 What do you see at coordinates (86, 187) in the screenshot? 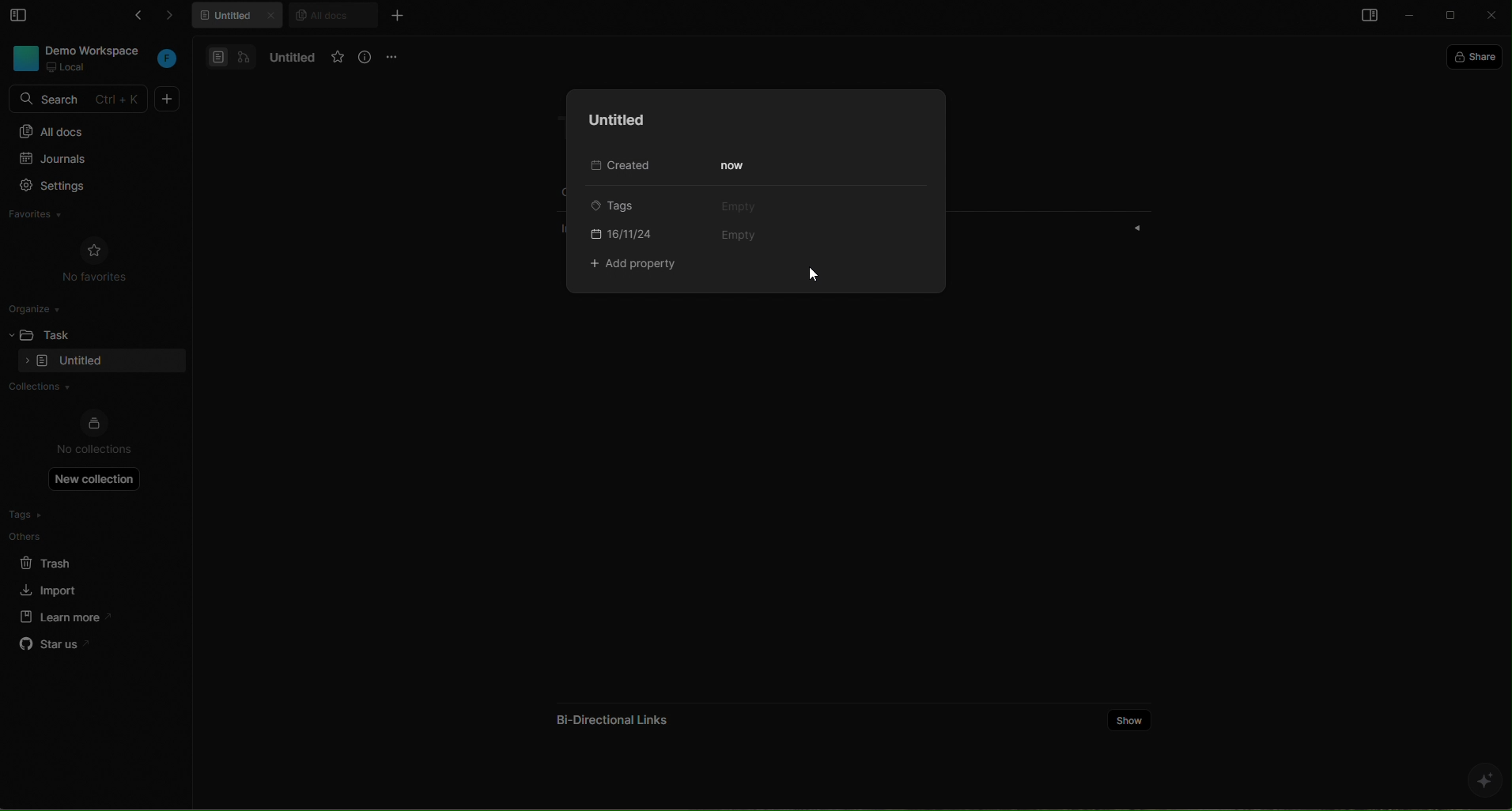
I see `settings` at bounding box center [86, 187].